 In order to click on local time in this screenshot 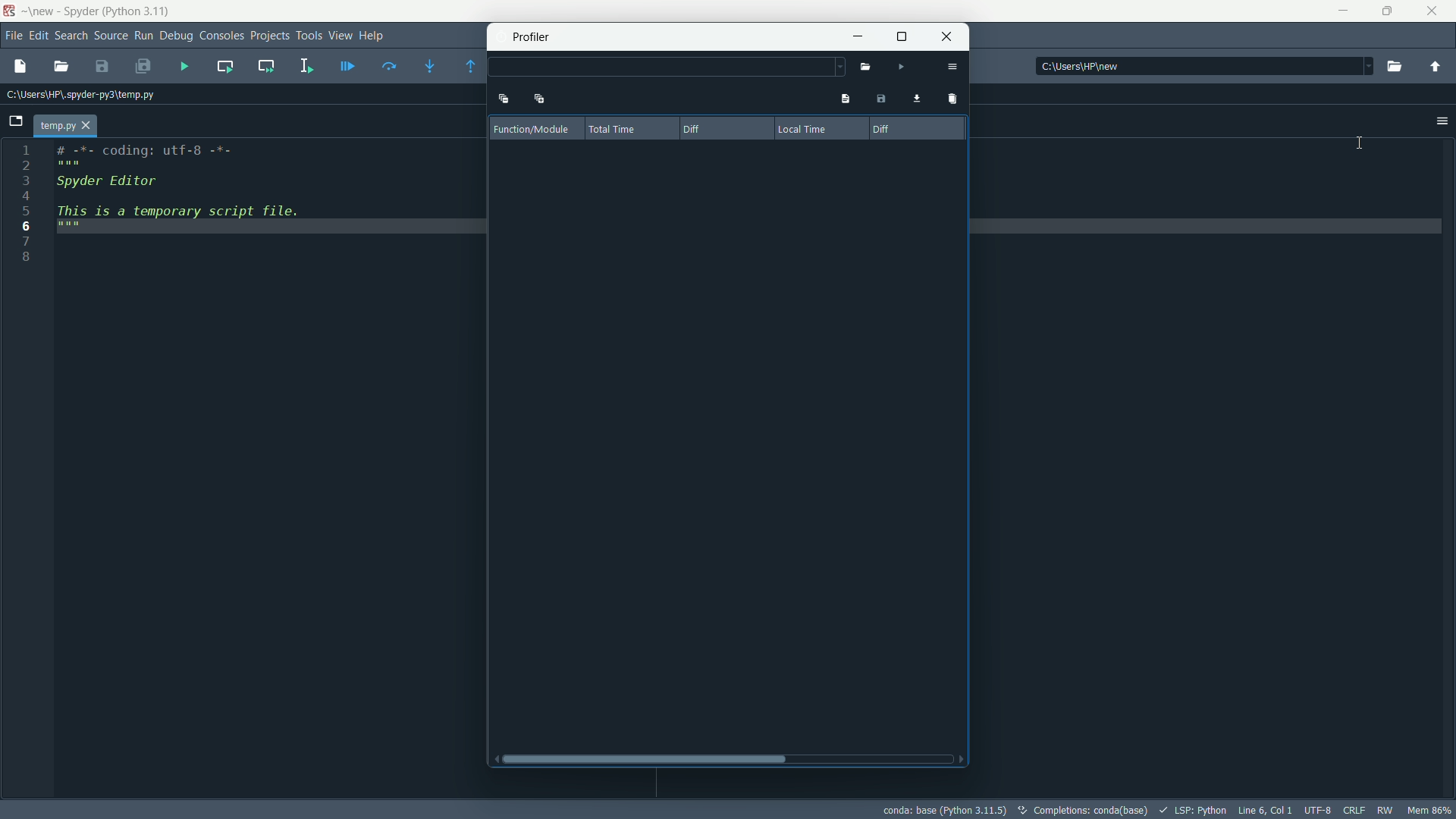, I will do `click(802, 130)`.